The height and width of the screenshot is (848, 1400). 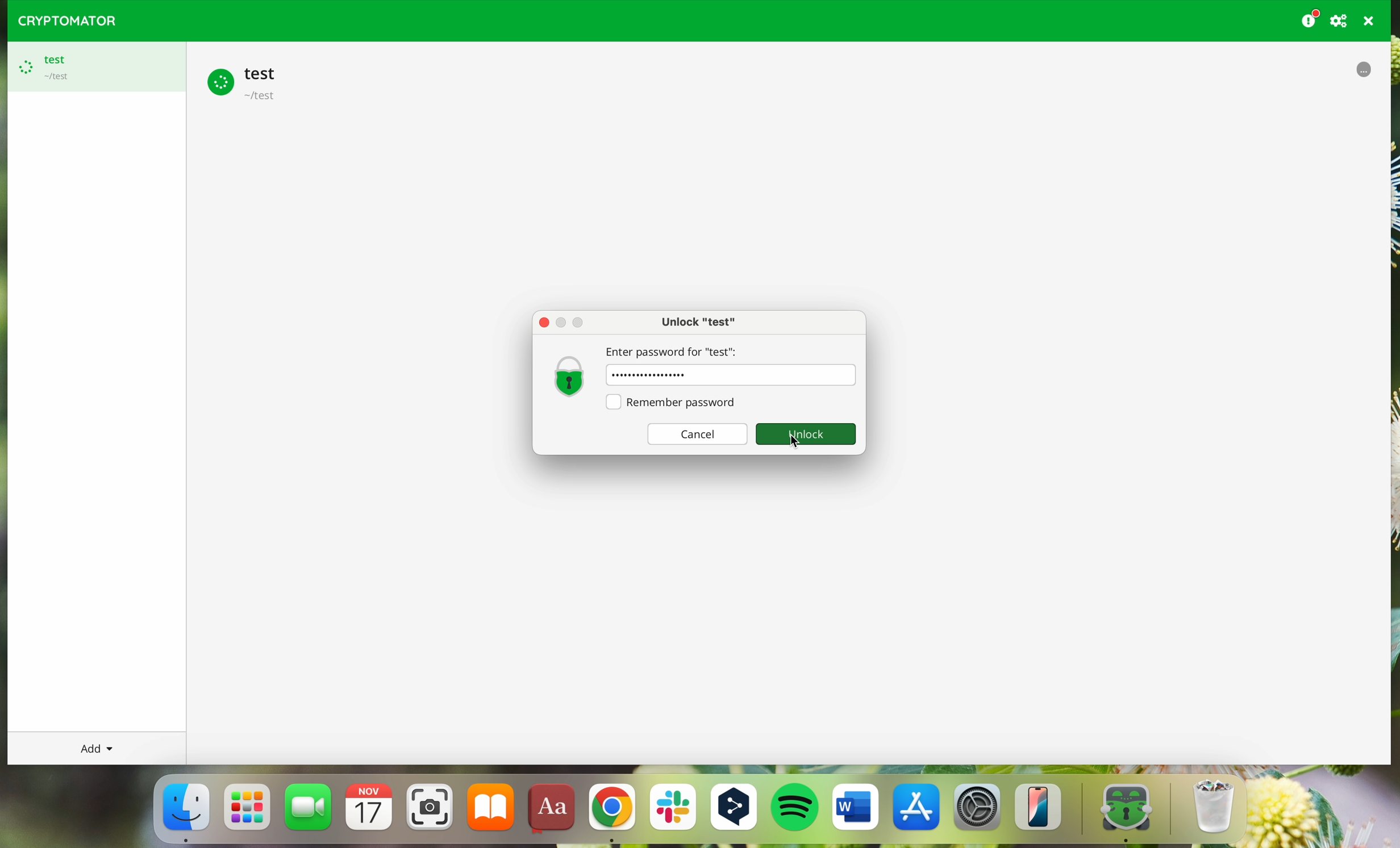 I want to click on launchpad, so click(x=248, y=807).